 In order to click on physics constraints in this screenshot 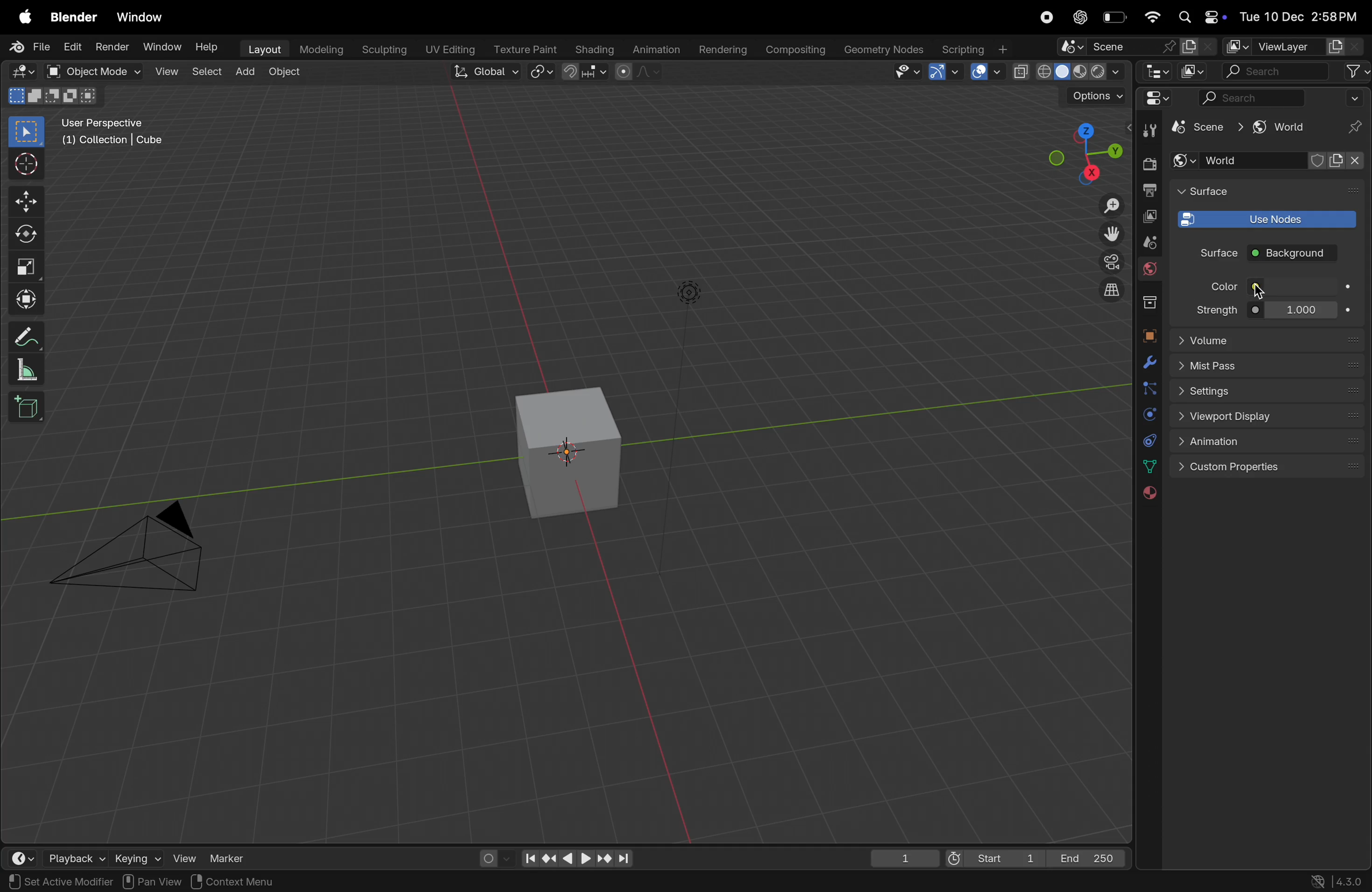, I will do `click(1148, 415)`.